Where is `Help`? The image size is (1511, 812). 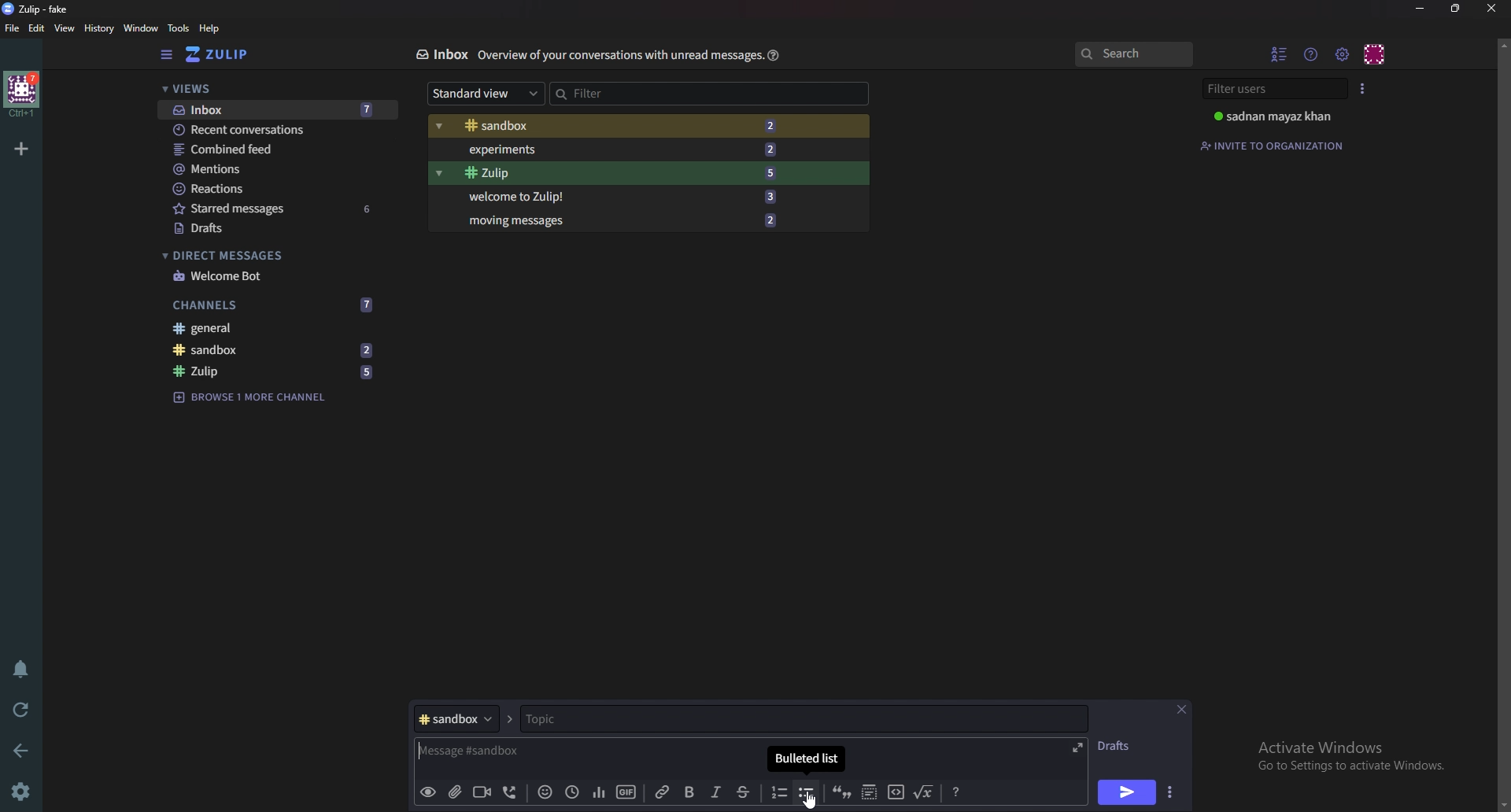
Help is located at coordinates (774, 54).